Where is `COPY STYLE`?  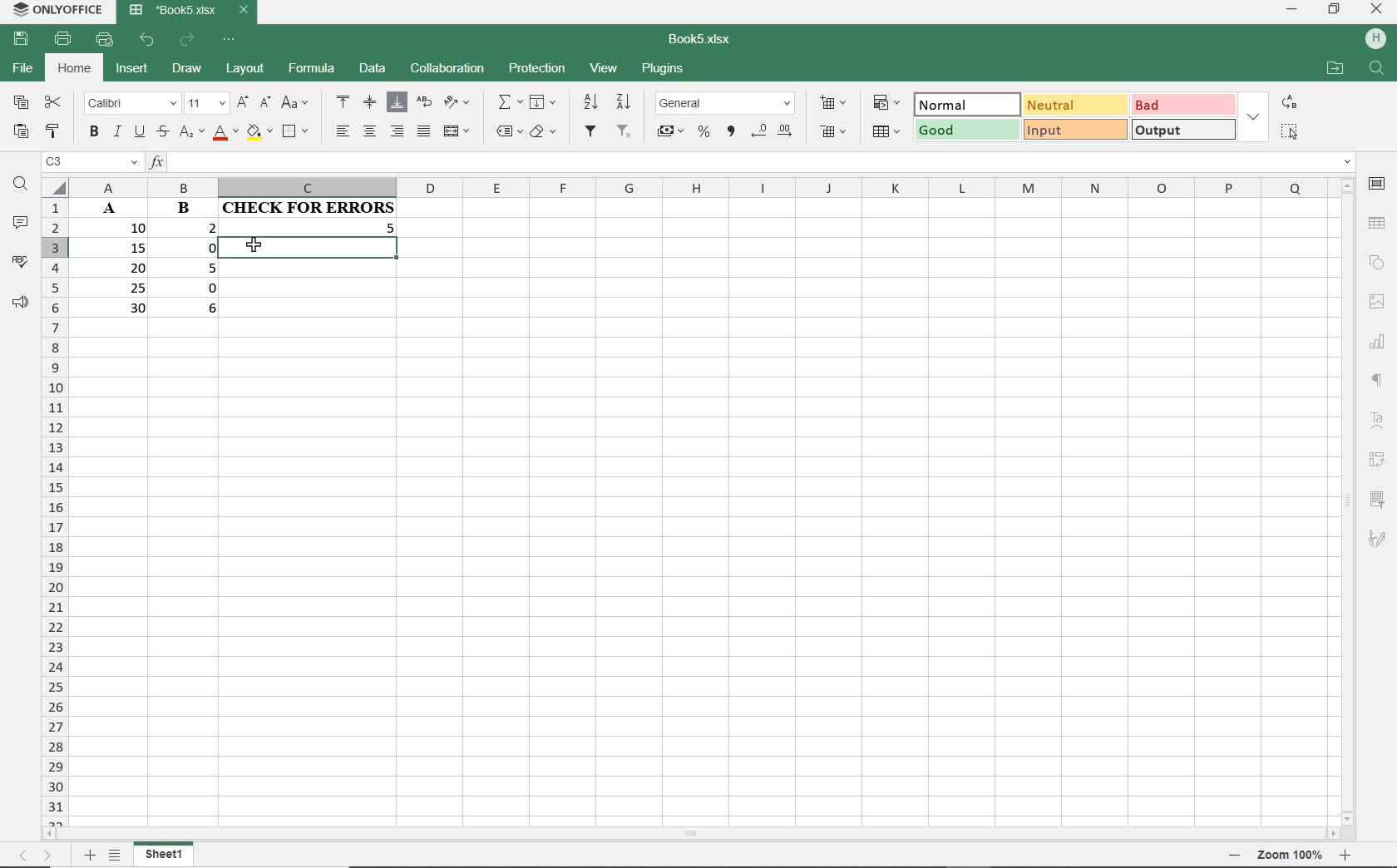 COPY STYLE is located at coordinates (54, 131).